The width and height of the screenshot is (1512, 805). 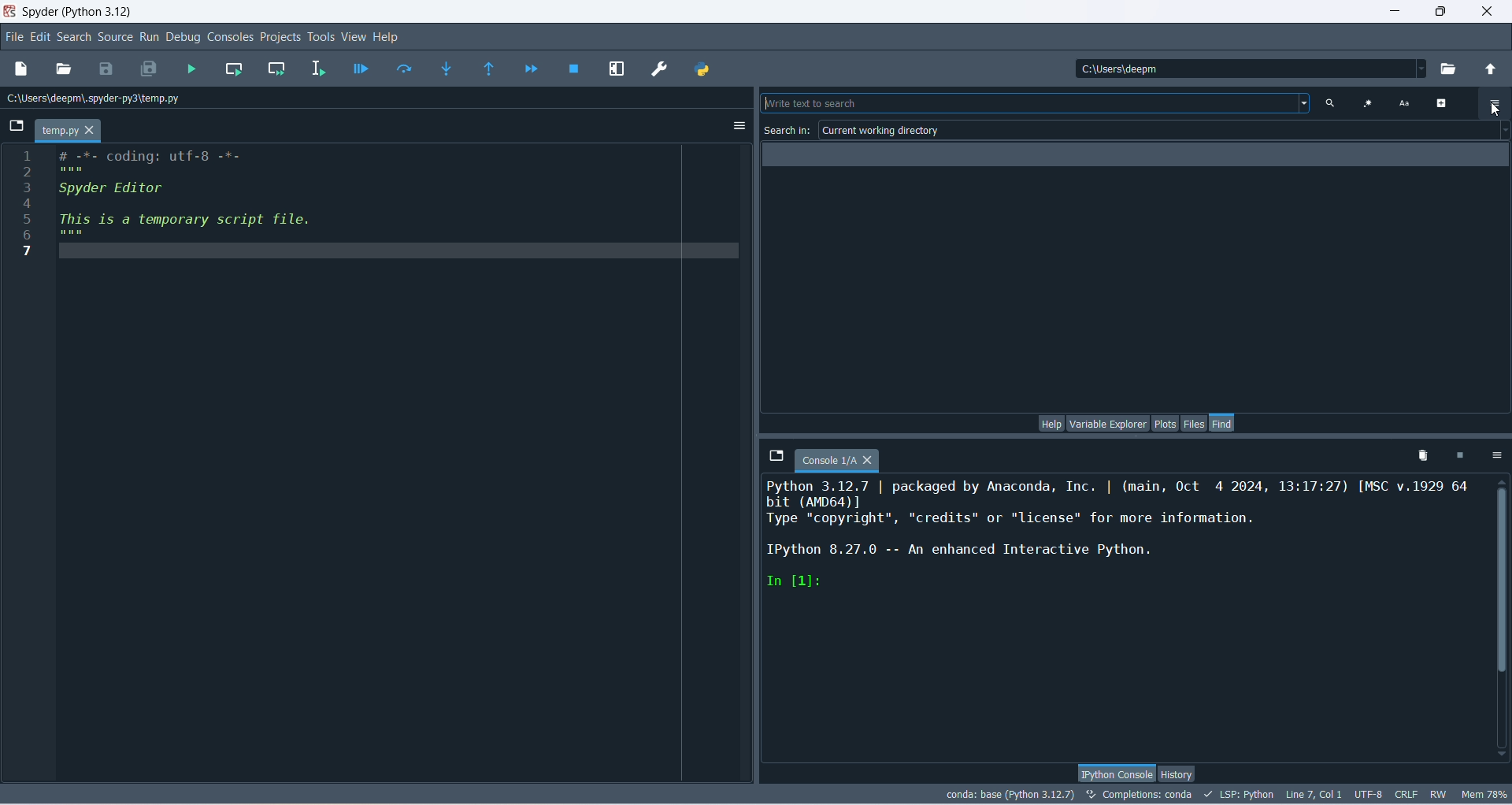 What do you see at coordinates (64, 70) in the screenshot?
I see `open` at bounding box center [64, 70].